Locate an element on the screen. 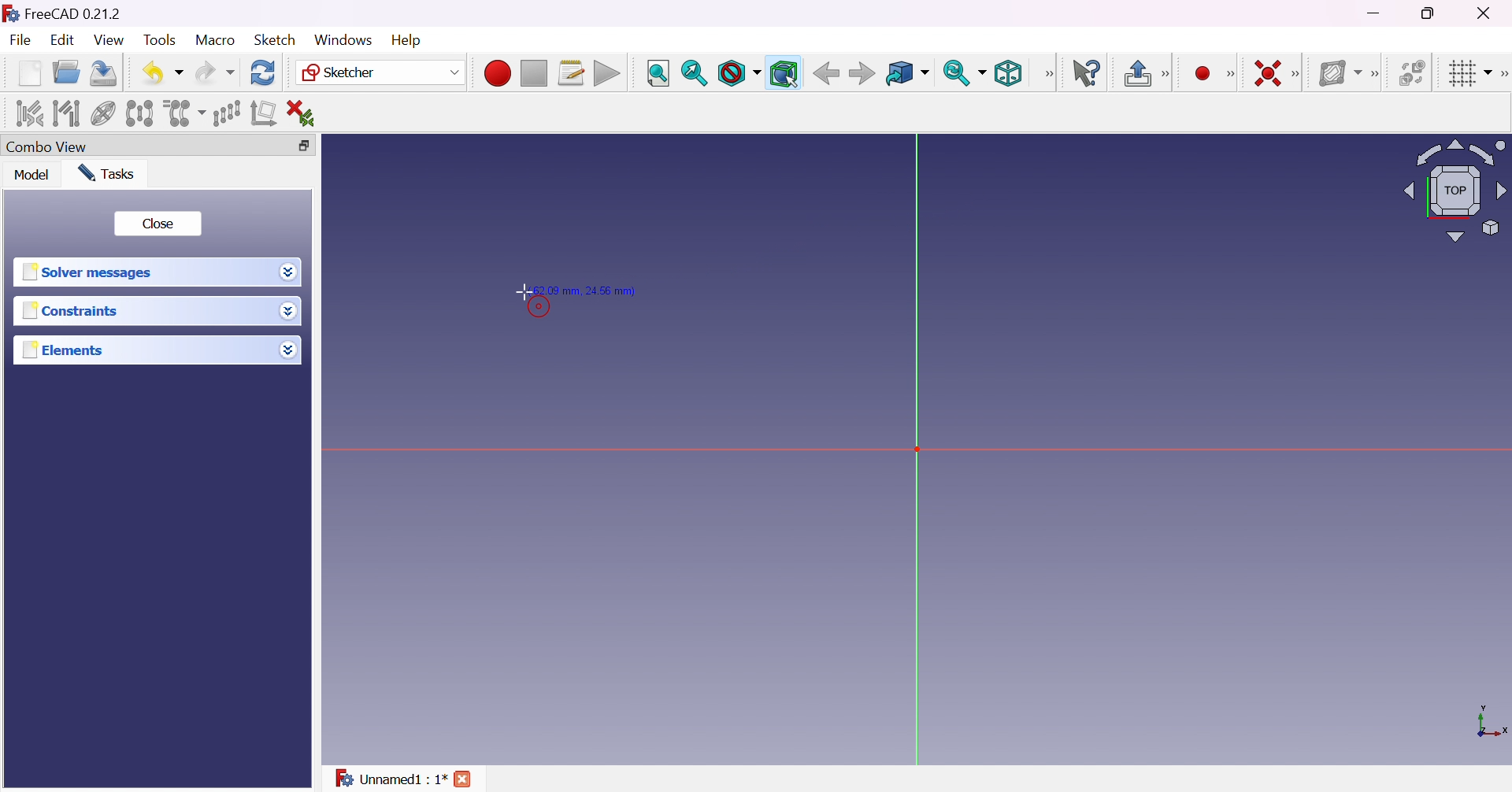  Model is located at coordinates (31, 175).